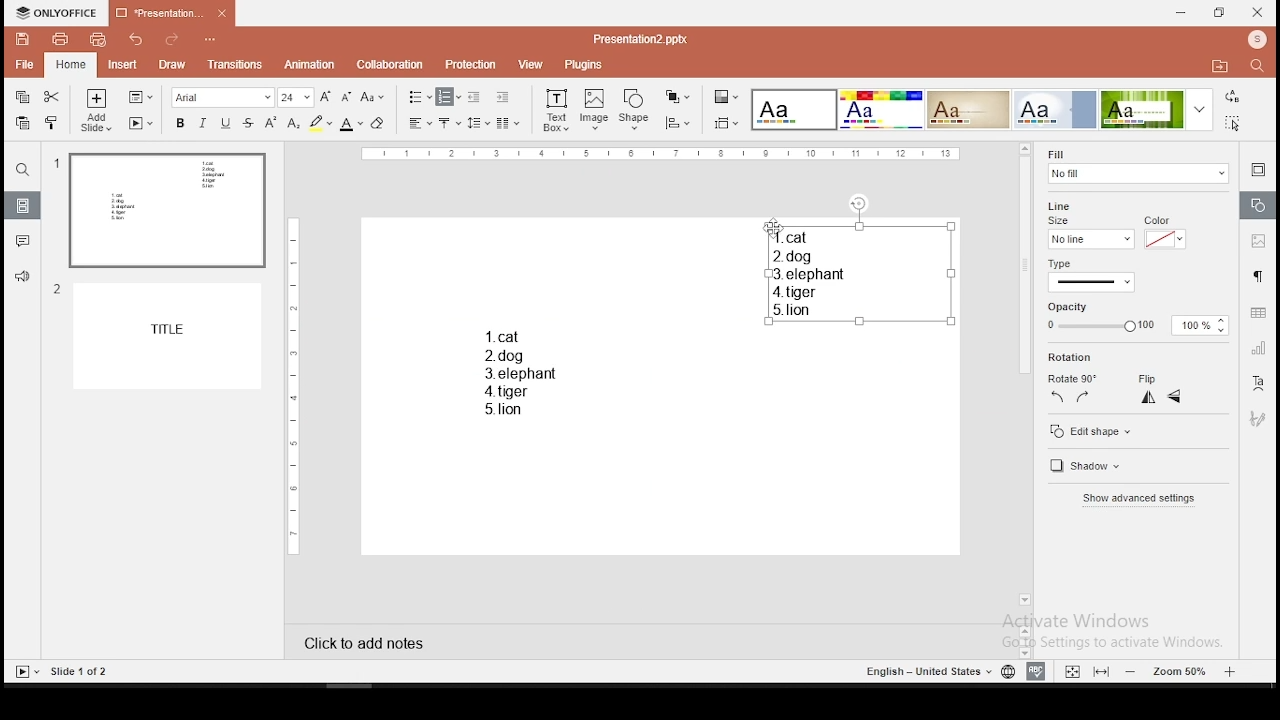  What do you see at coordinates (647, 39) in the screenshot?
I see `Presentation2.pptx` at bounding box center [647, 39].